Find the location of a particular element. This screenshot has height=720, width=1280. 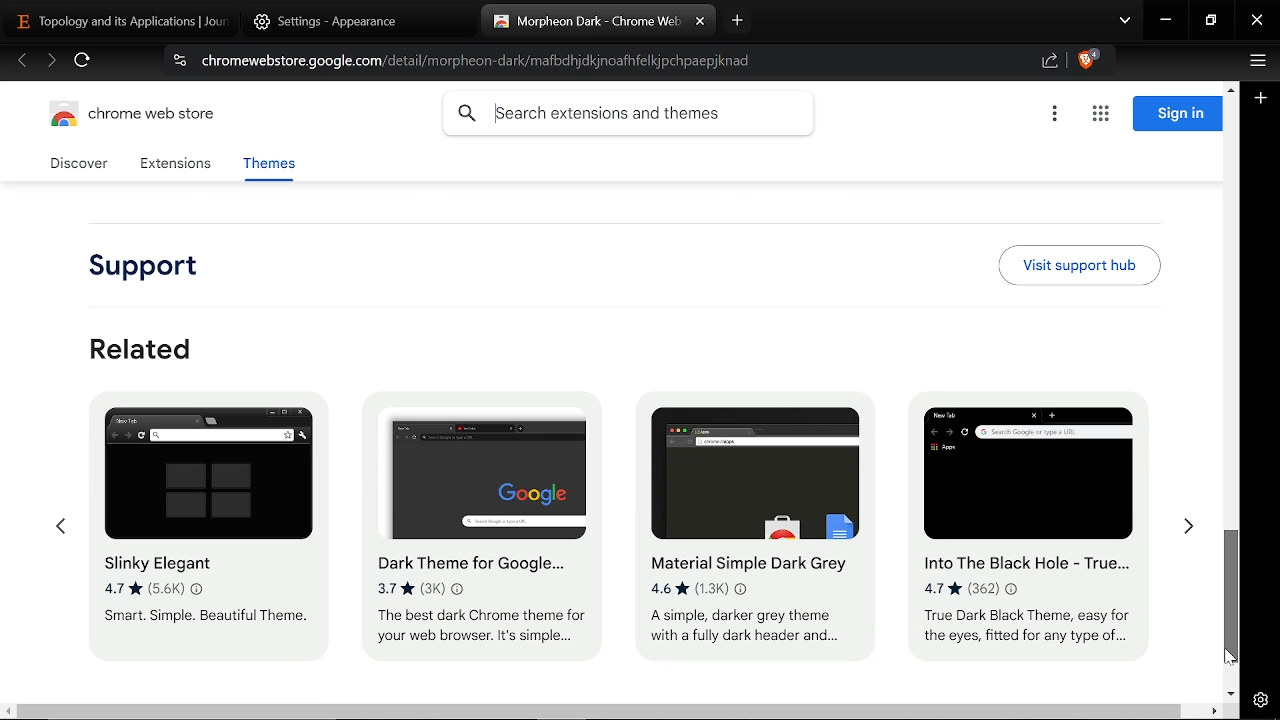

Apps is located at coordinates (1100, 115).